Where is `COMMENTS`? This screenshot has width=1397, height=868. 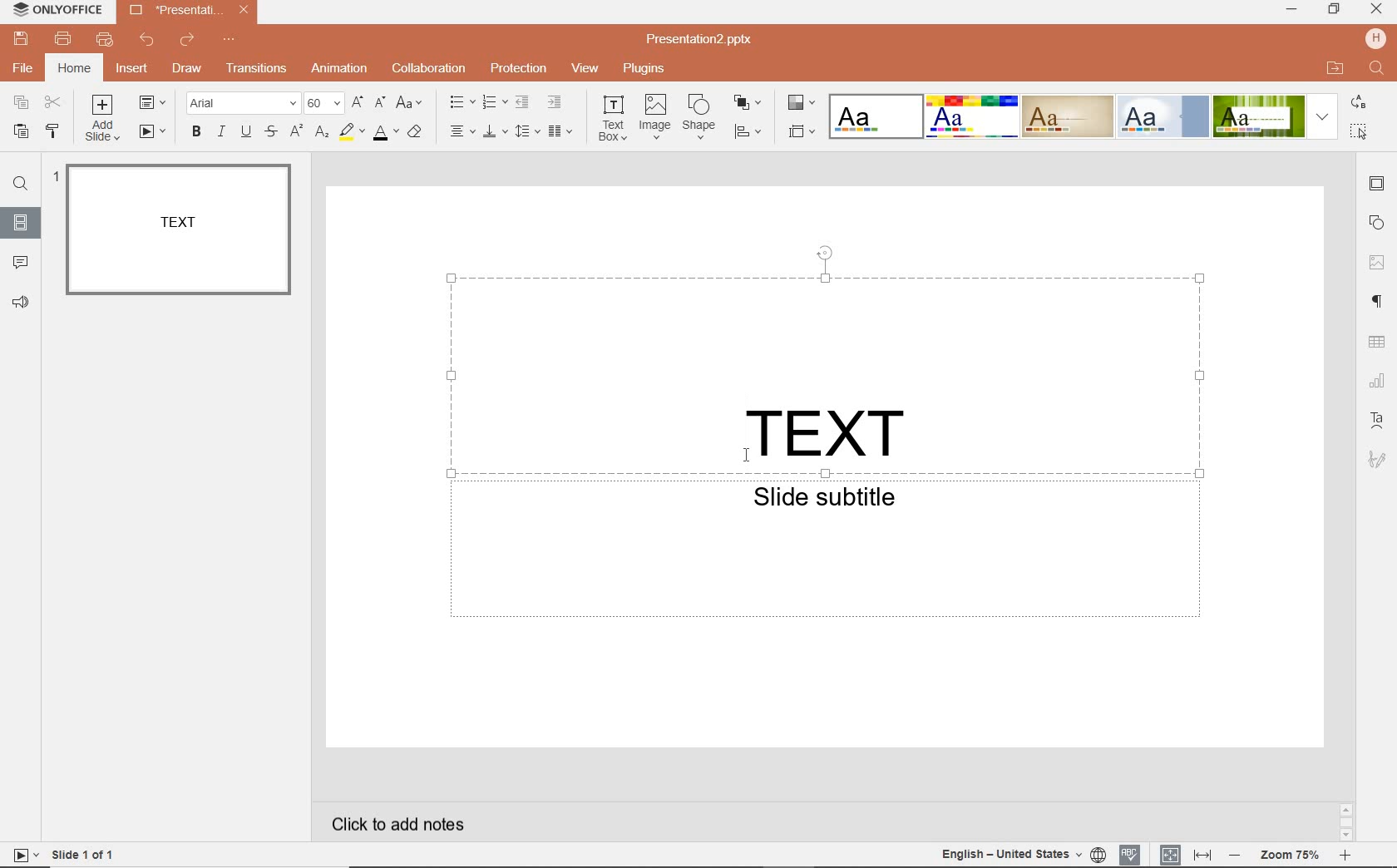
COMMENTS is located at coordinates (21, 260).